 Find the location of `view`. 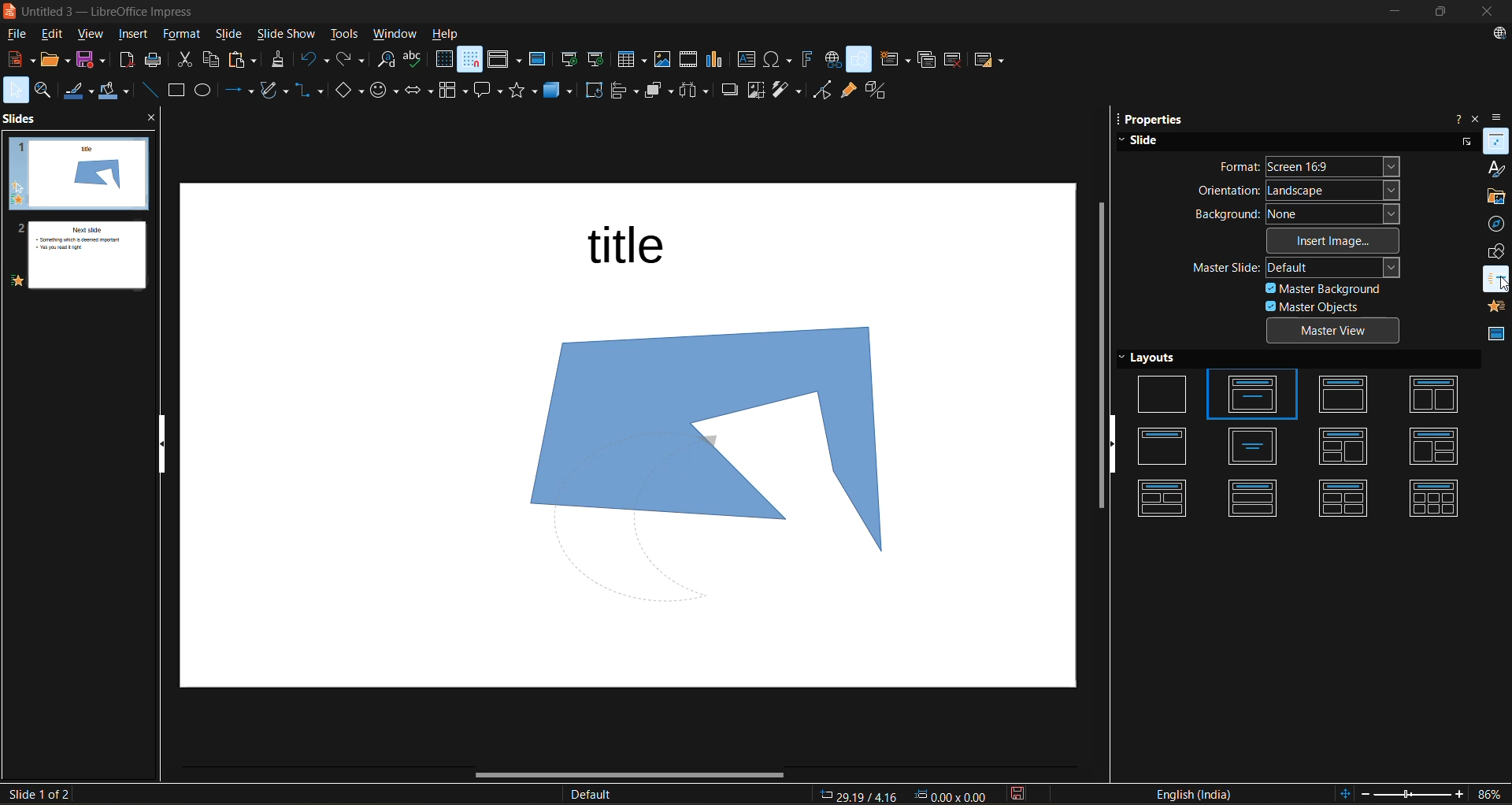

view is located at coordinates (94, 35).